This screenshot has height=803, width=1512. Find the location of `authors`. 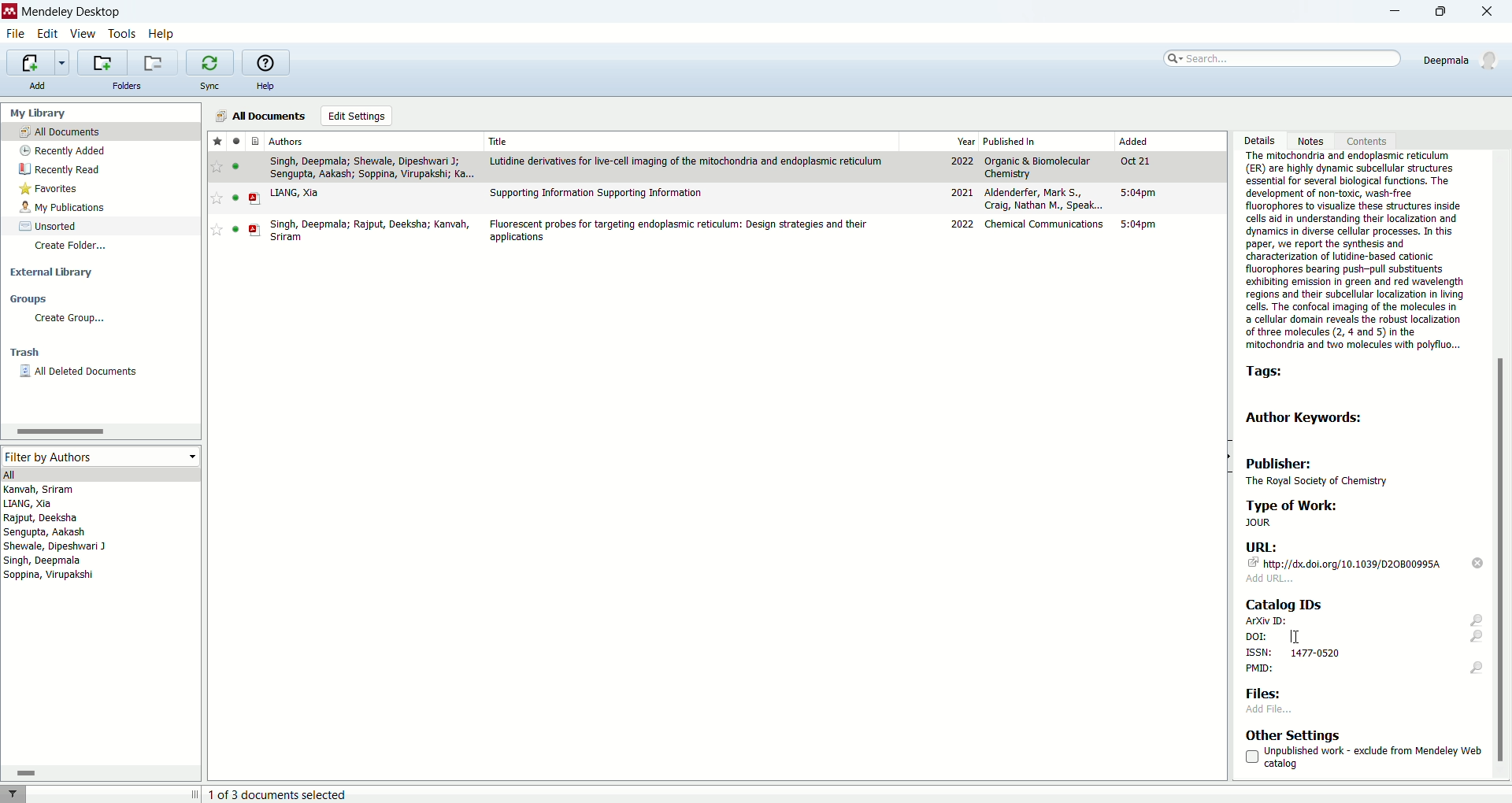

authors is located at coordinates (287, 141).